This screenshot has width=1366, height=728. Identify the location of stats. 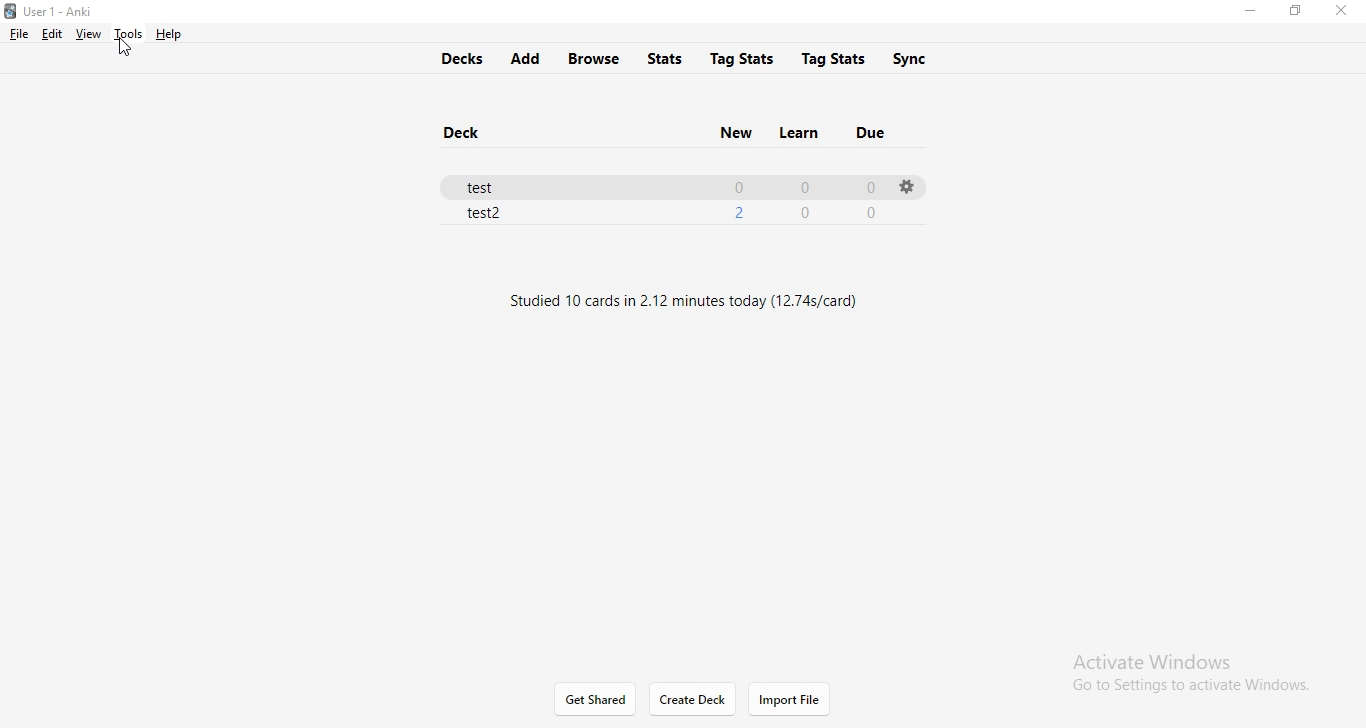
(668, 59).